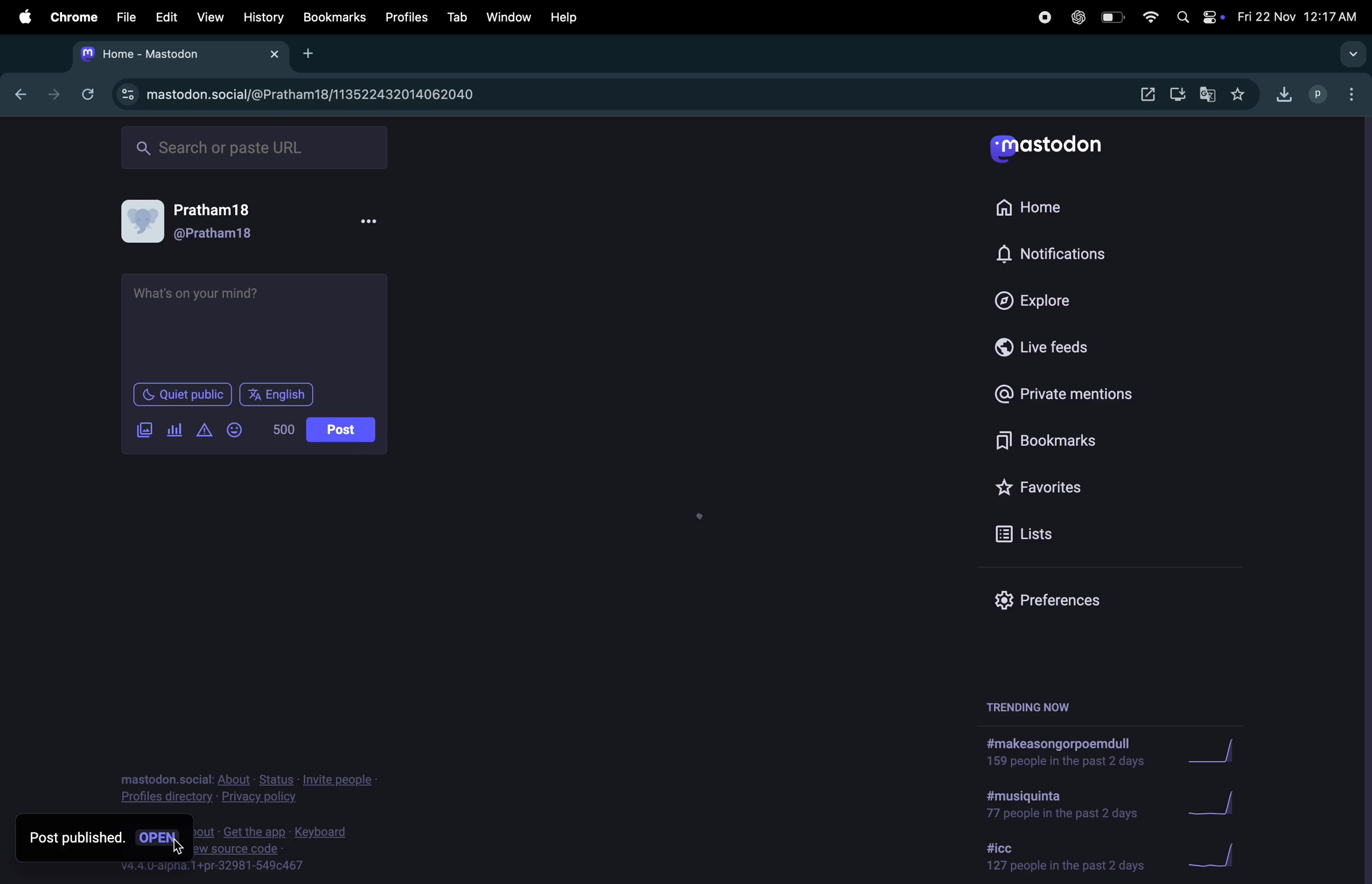  I want to click on 500 lines, so click(280, 429).